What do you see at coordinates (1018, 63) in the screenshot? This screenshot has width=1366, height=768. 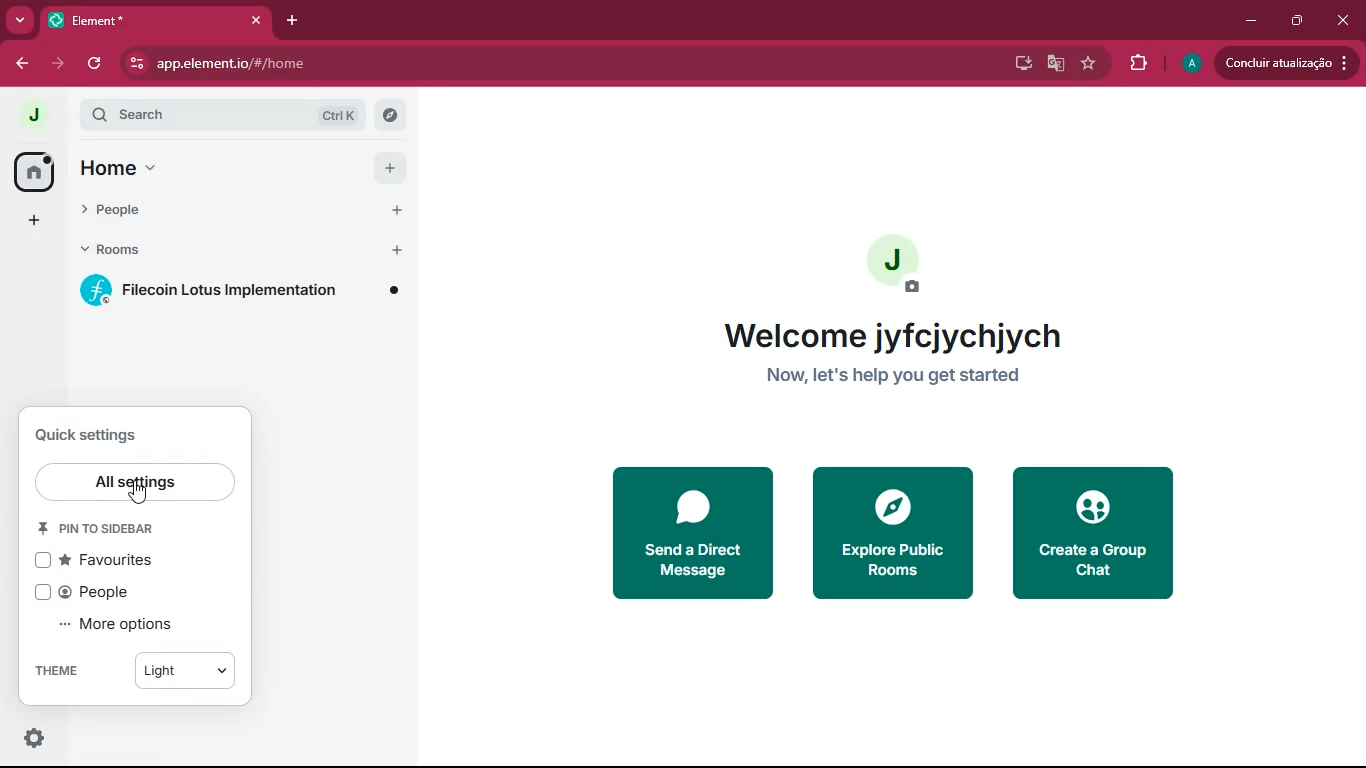 I see `desktop` at bounding box center [1018, 63].